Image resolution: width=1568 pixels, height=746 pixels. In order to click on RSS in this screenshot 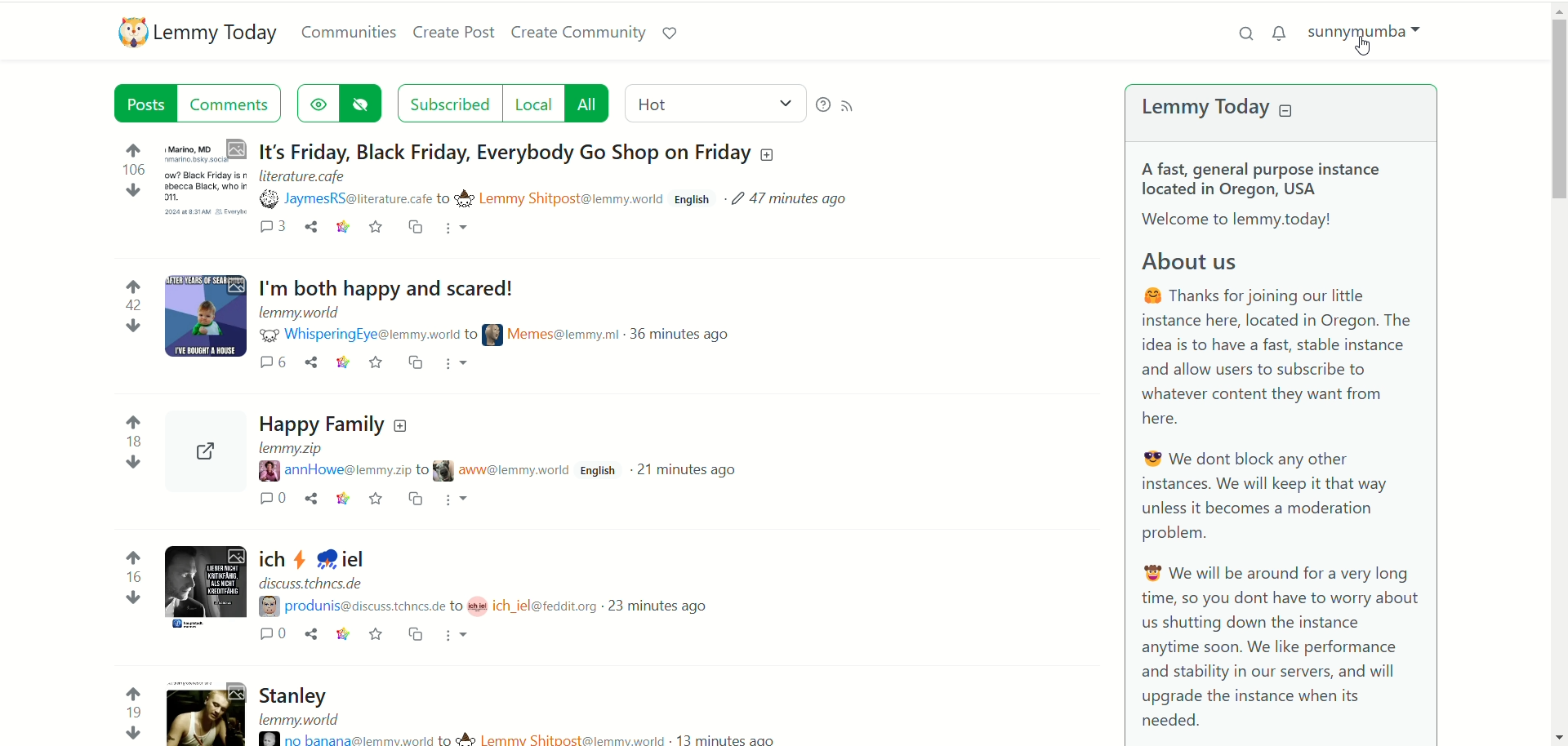, I will do `click(851, 109)`.